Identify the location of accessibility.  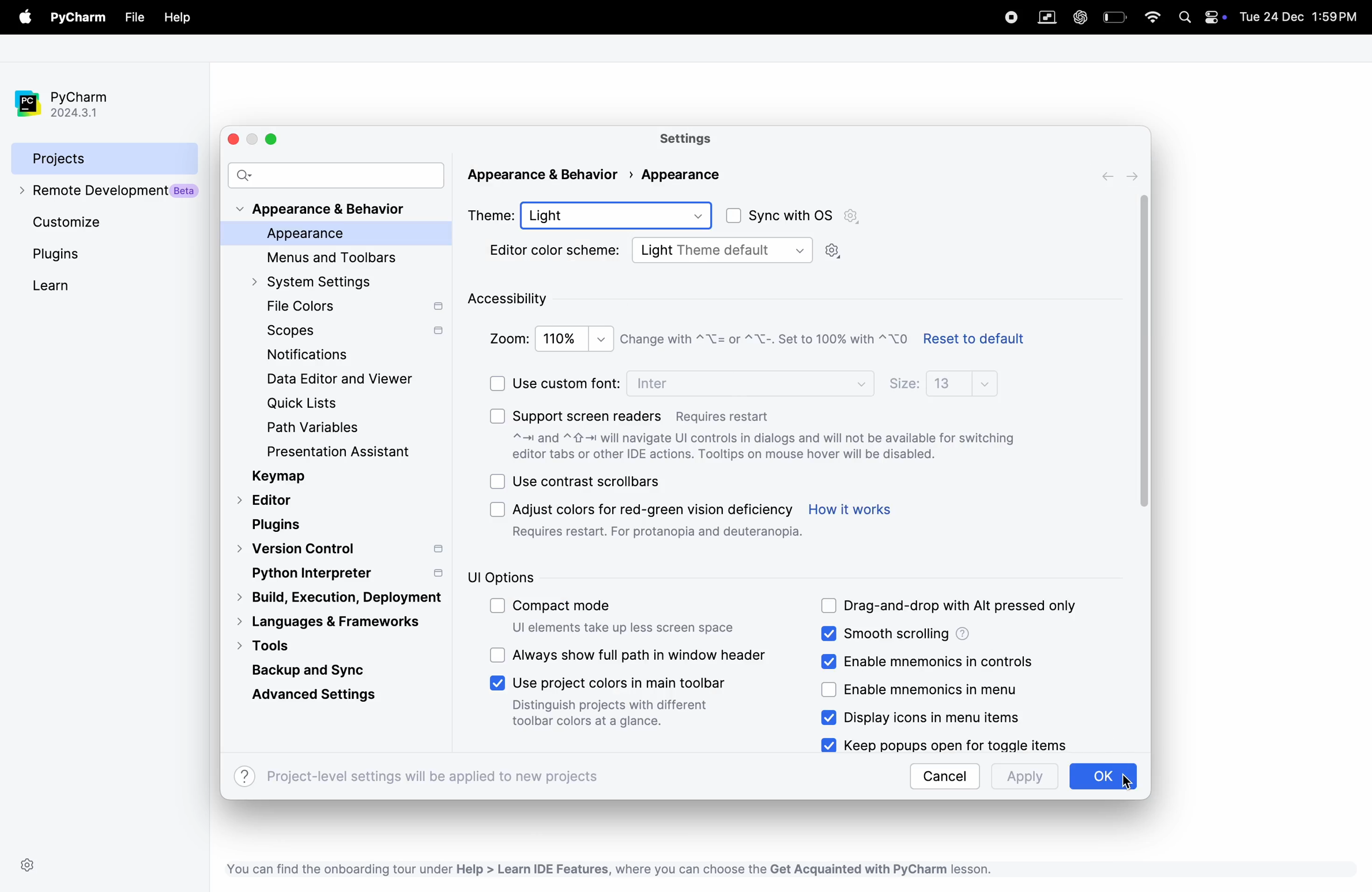
(515, 300).